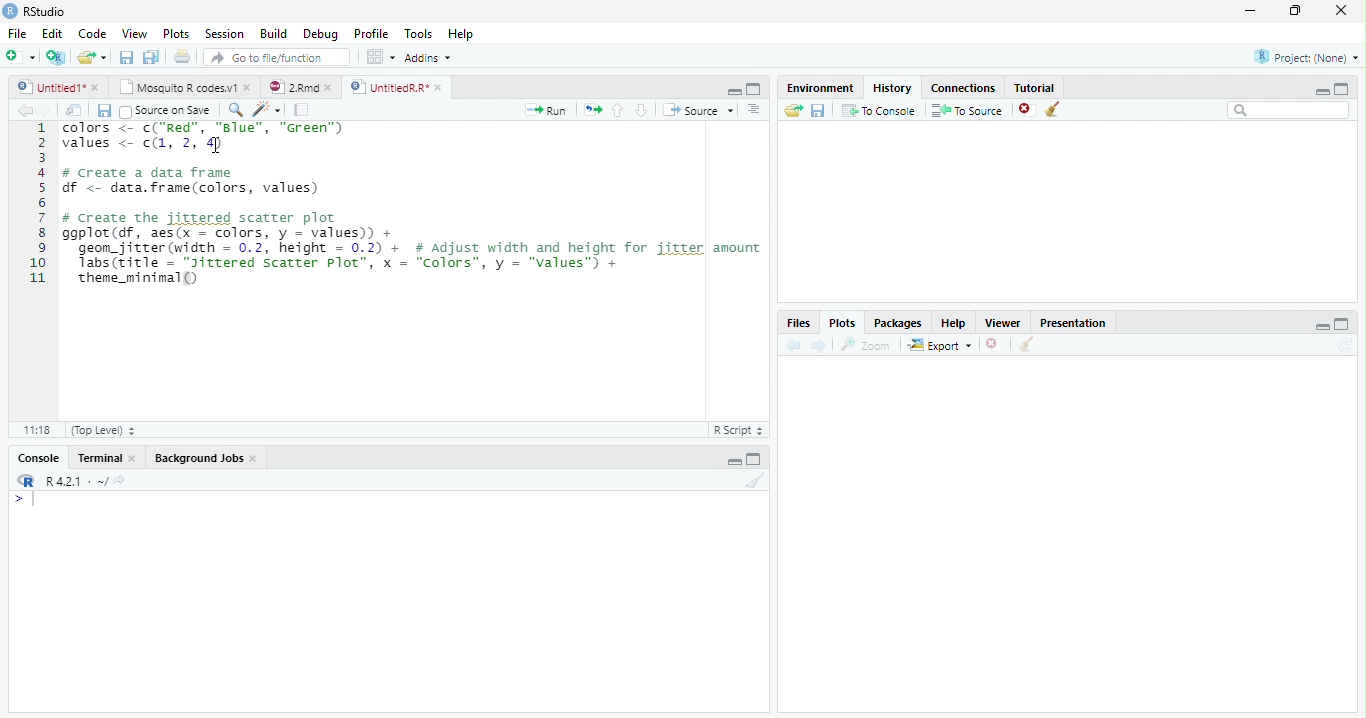 Image resolution: width=1366 pixels, height=718 pixels. What do you see at coordinates (254, 458) in the screenshot?
I see `close` at bounding box center [254, 458].